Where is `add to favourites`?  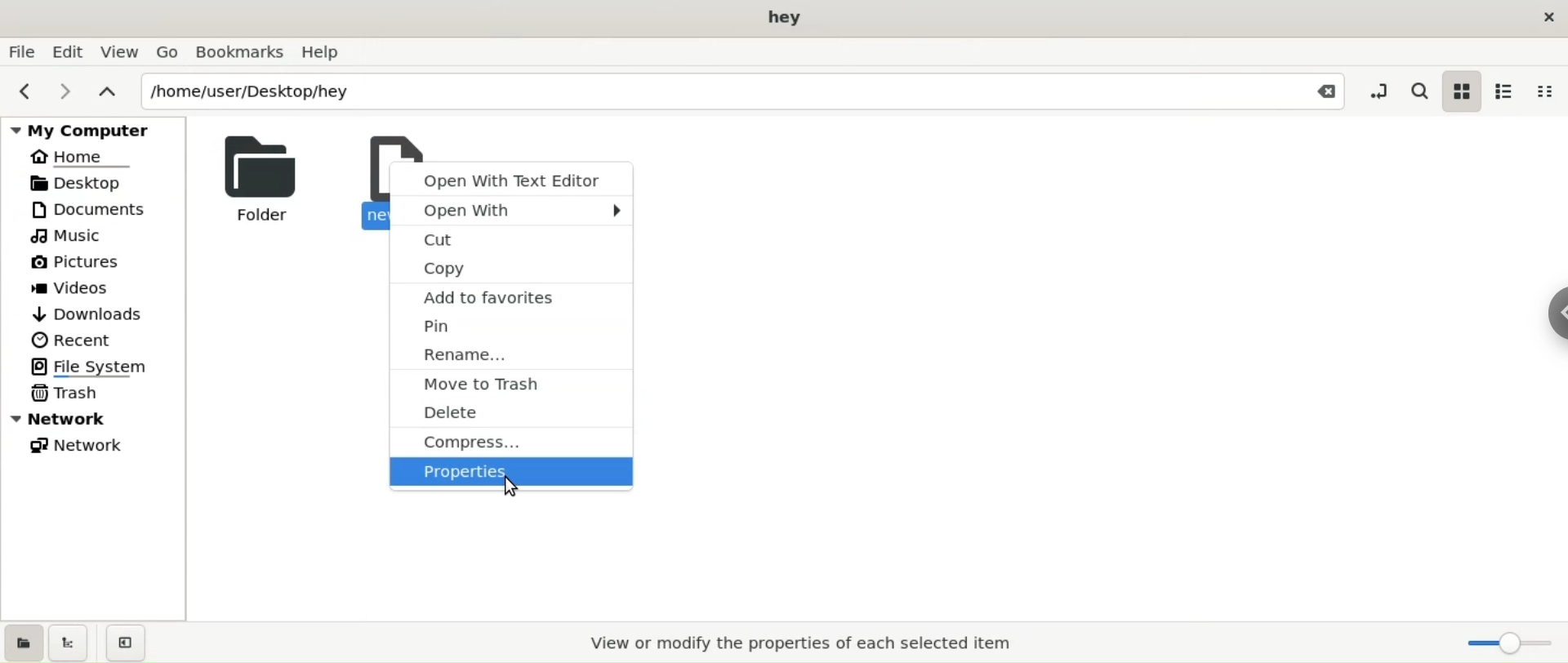
add to favourites is located at coordinates (514, 295).